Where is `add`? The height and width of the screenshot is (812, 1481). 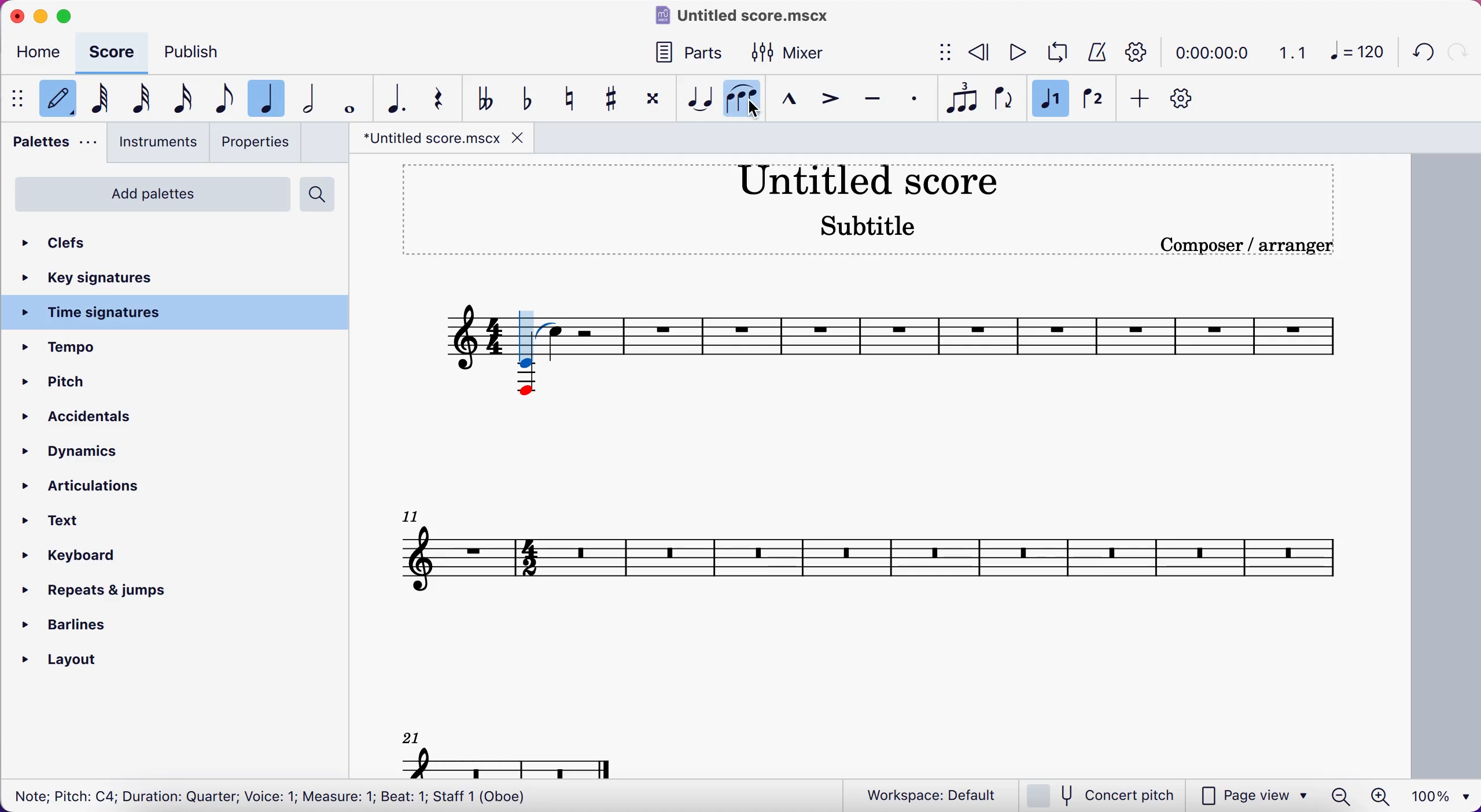 add is located at coordinates (1140, 103).